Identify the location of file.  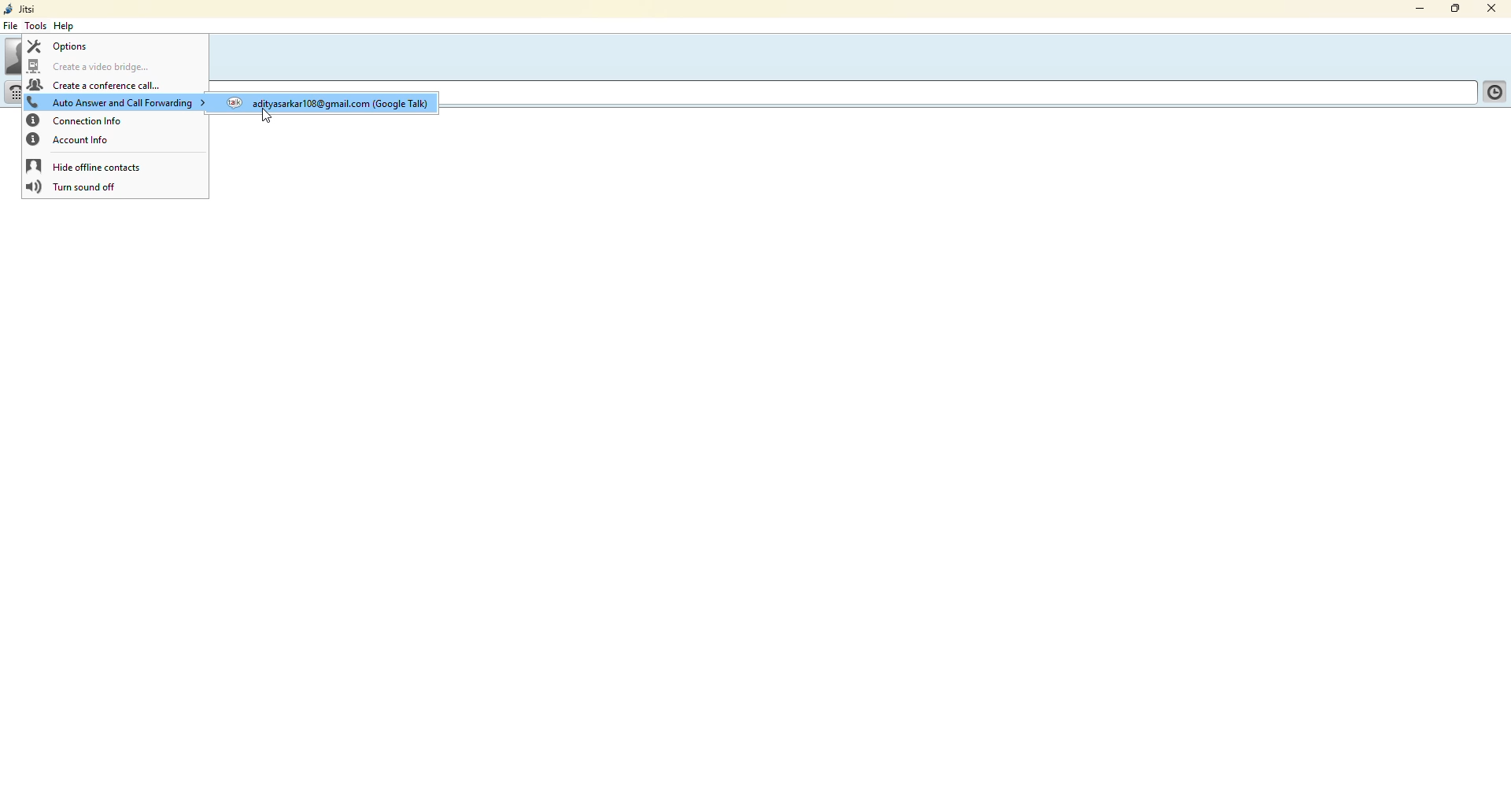
(13, 27).